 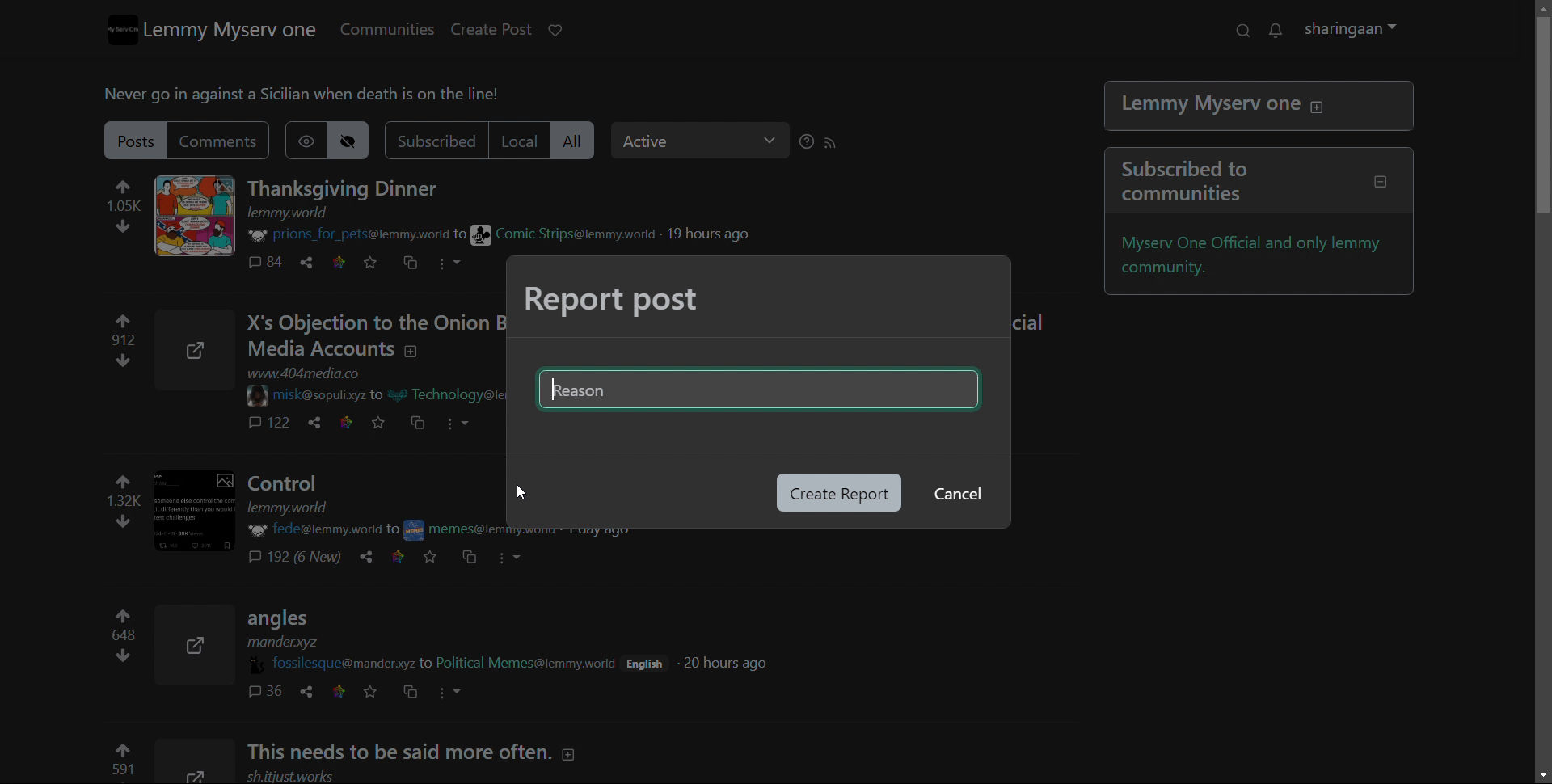 What do you see at coordinates (377, 337) in the screenshot?
I see `Post on "X's Objection to the Onion Buying InfoWars Is a Reminder You Do Not Own Your SocialMedia Accounts"` at bounding box center [377, 337].